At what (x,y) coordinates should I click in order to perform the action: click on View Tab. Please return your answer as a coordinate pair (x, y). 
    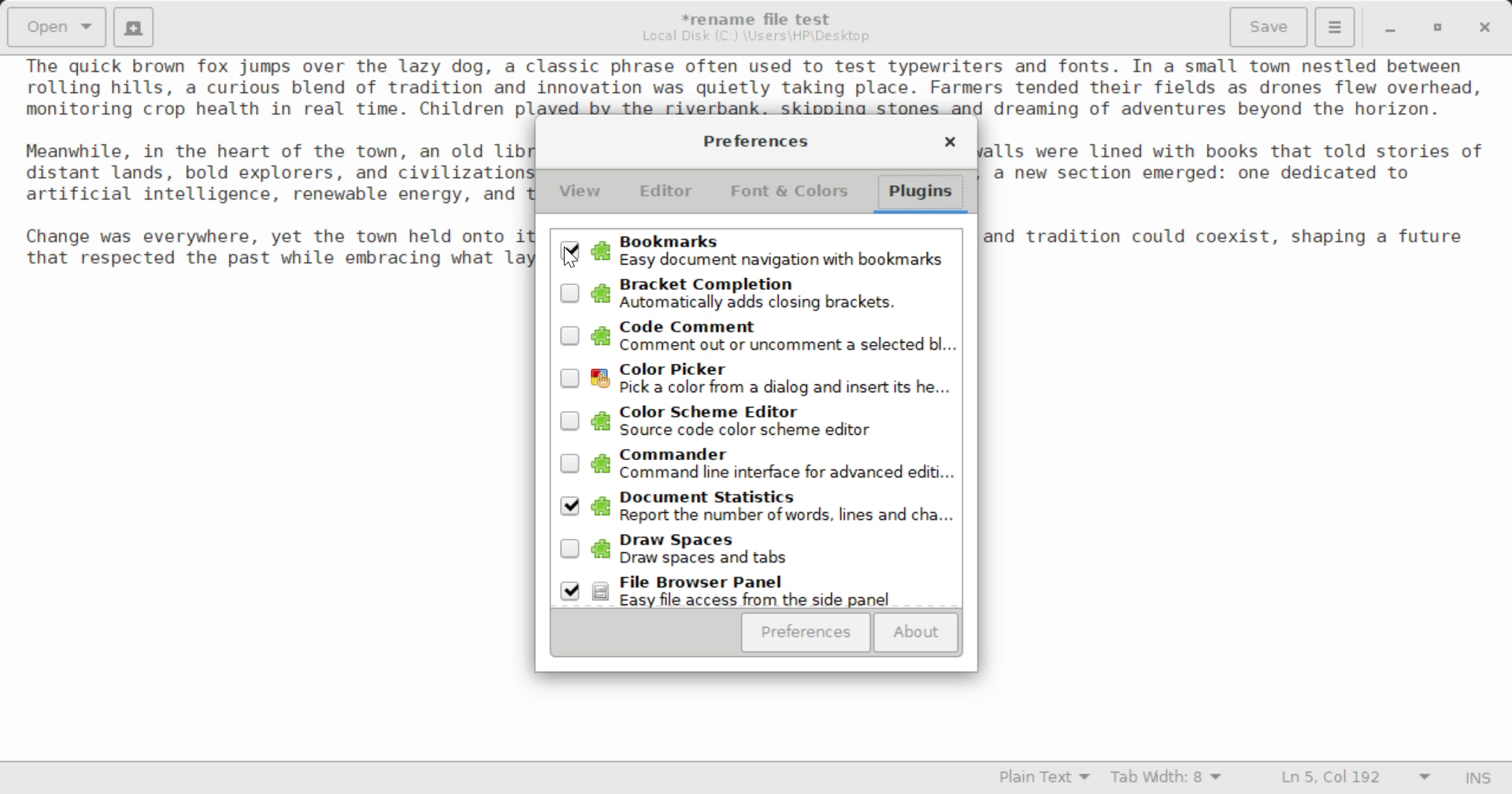
    Looking at the image, I should click on (580, 195).